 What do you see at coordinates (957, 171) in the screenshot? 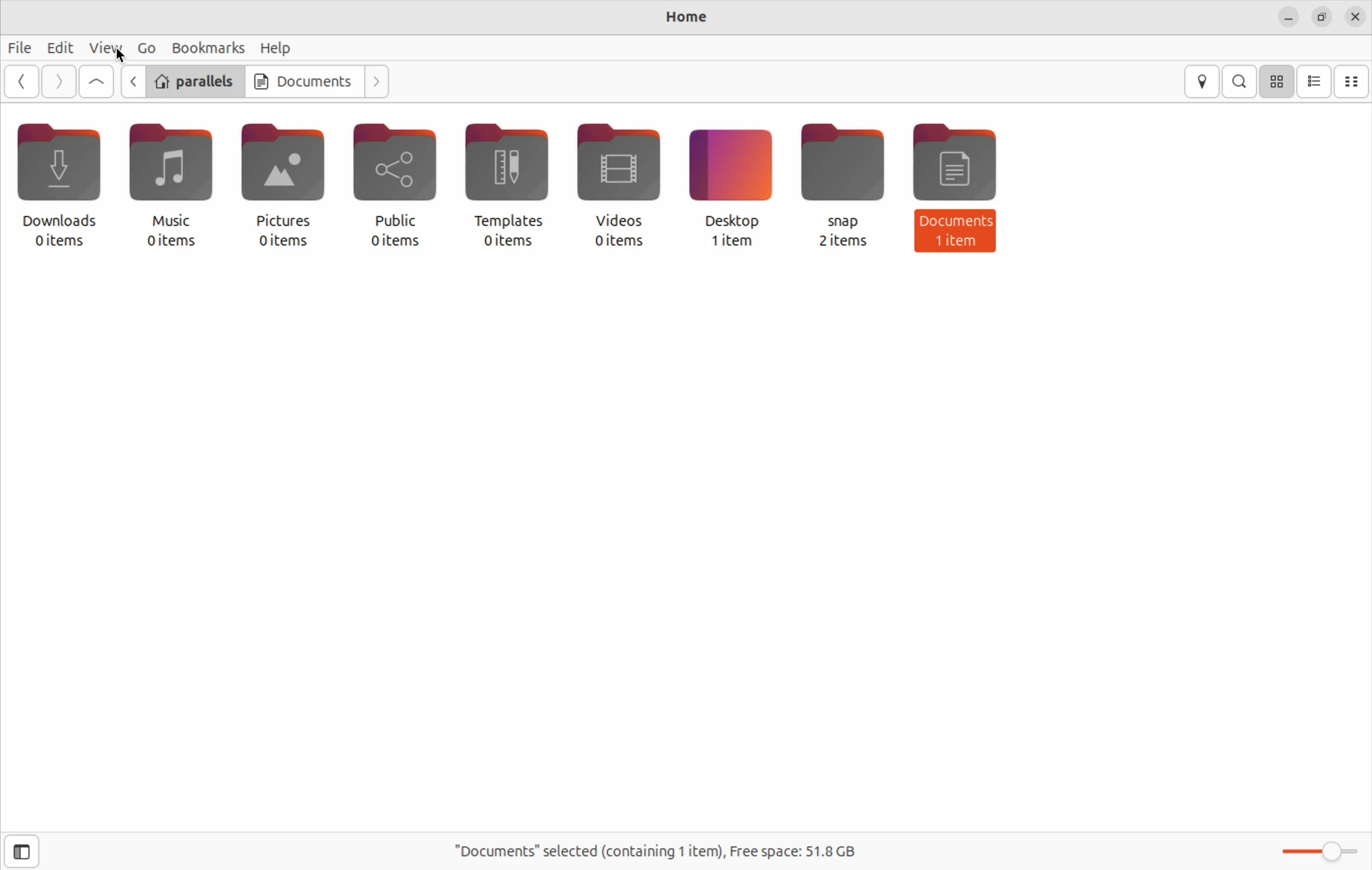
I see `Document` at bounding box center [957, 171].